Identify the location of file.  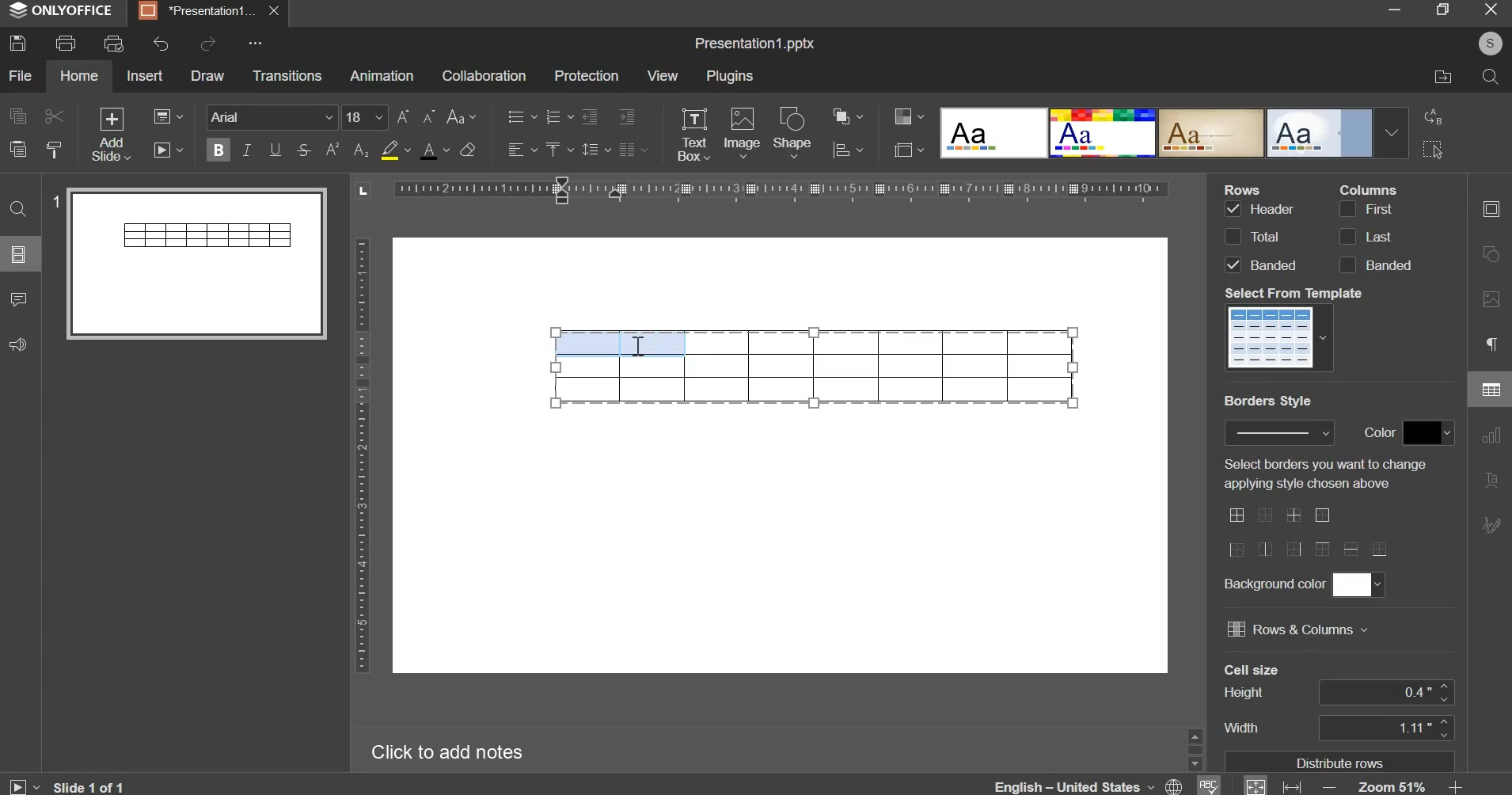
(21, 75).